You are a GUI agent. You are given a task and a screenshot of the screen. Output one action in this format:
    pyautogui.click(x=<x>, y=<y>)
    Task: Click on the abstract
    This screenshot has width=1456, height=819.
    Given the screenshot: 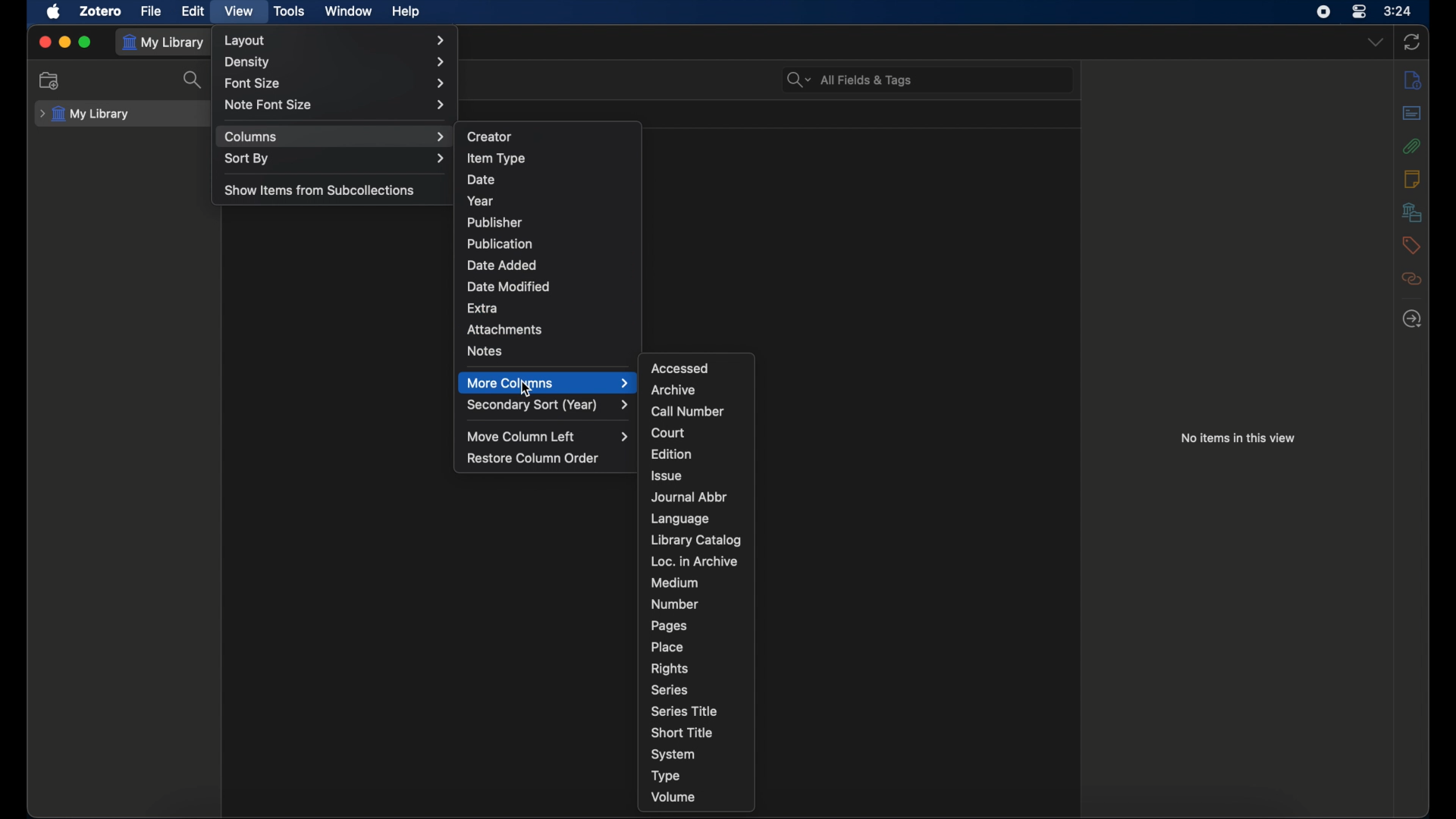 What is the action you would take?
    pyautogui.click(x=1412, y=112)
    